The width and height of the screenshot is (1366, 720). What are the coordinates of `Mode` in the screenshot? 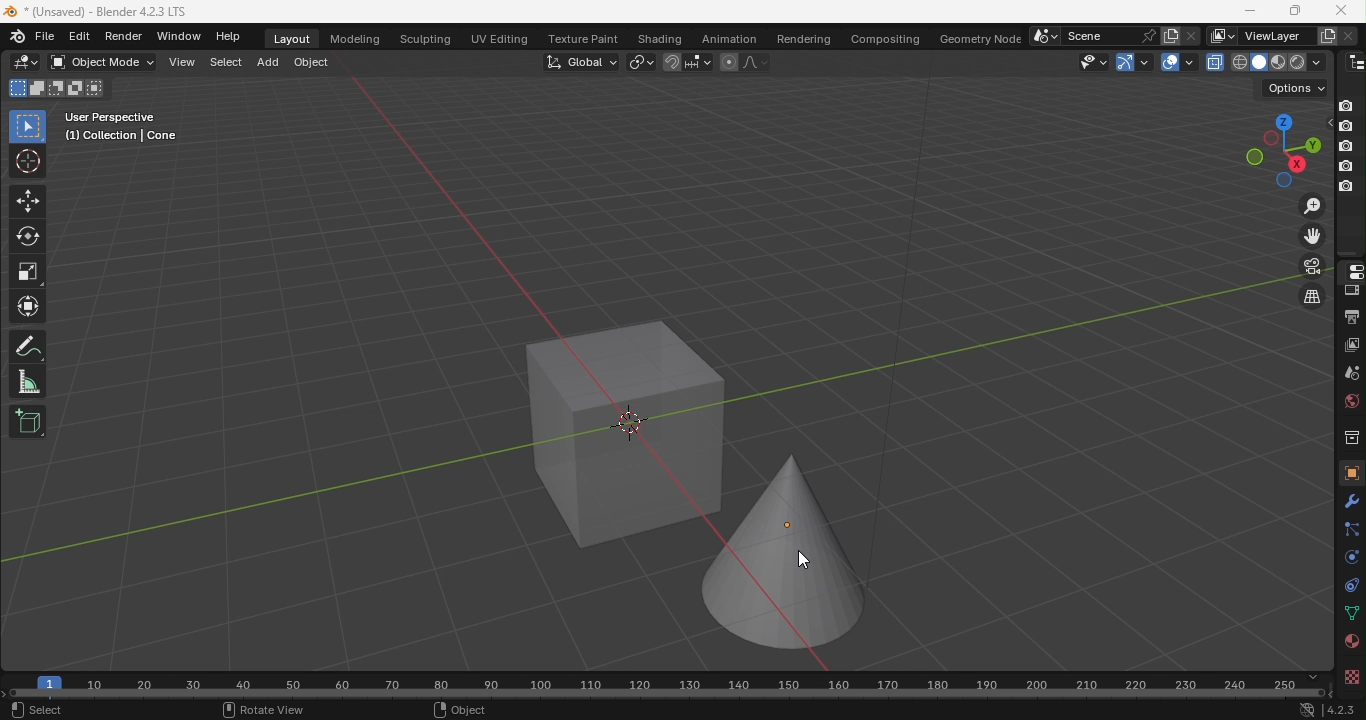 It's located at (56, 88).